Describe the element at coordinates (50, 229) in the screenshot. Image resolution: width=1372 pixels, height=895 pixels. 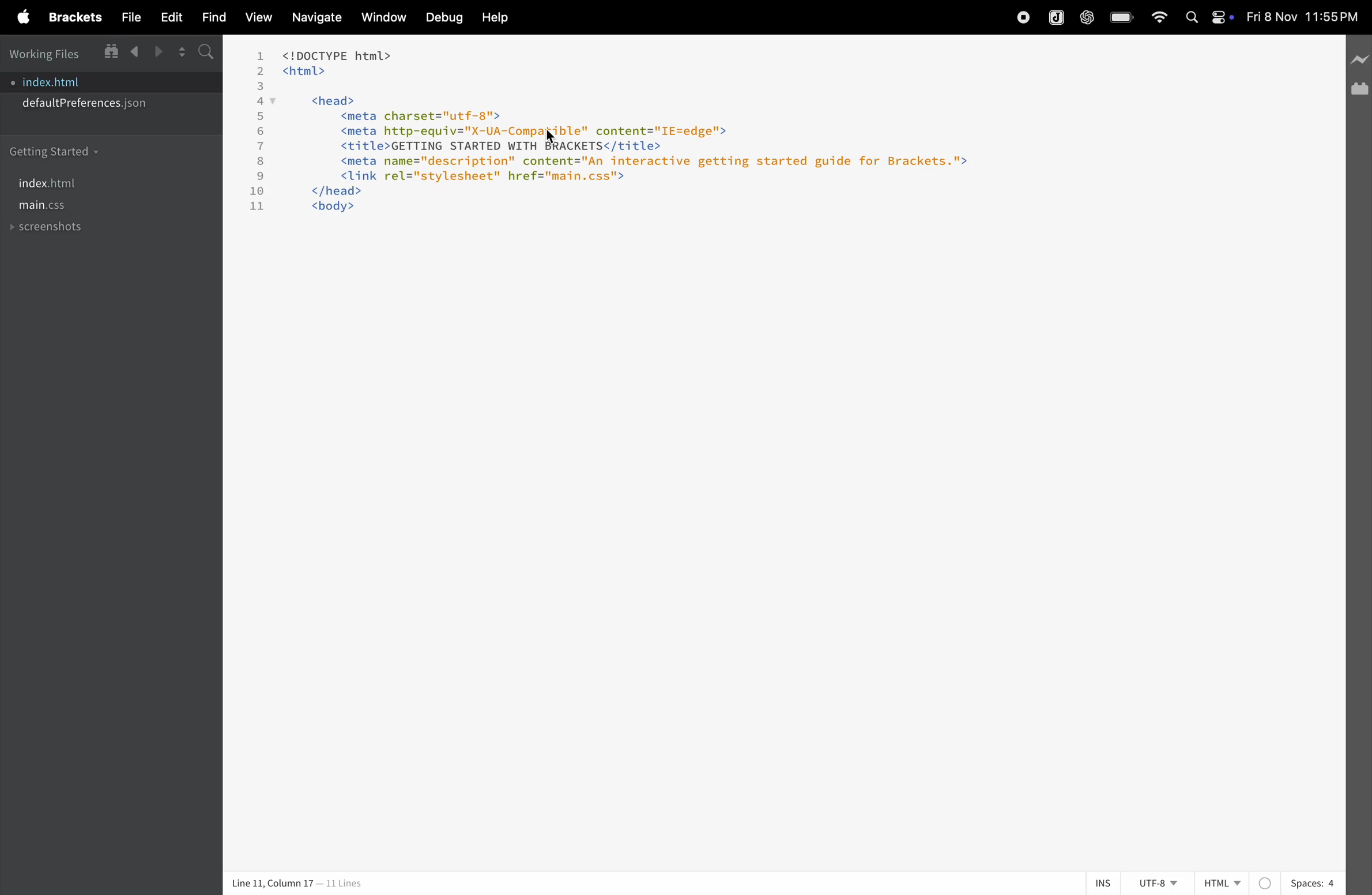
I see `screenshots` at that location.